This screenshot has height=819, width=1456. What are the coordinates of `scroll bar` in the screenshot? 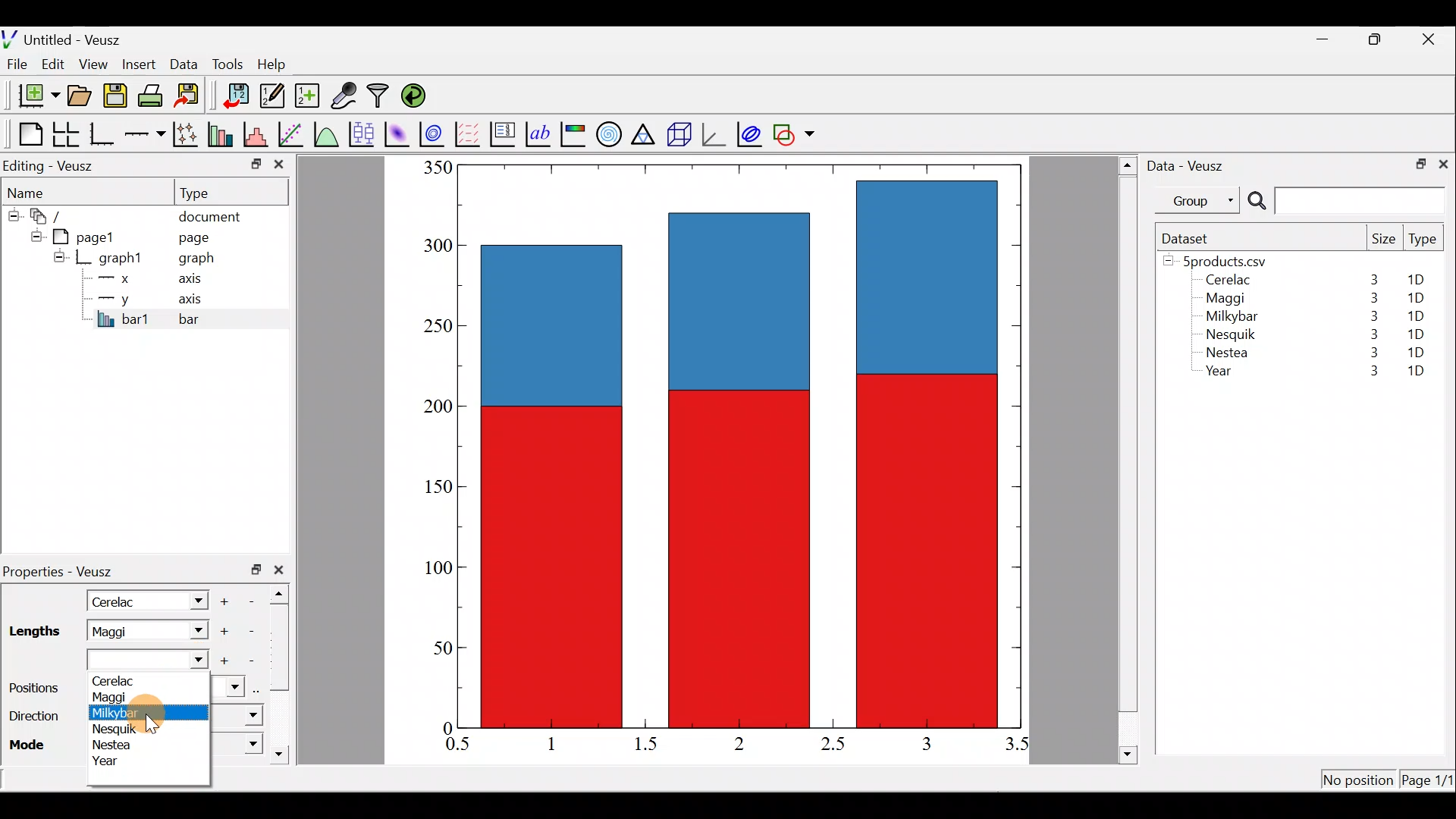 It's located at (284, 670).